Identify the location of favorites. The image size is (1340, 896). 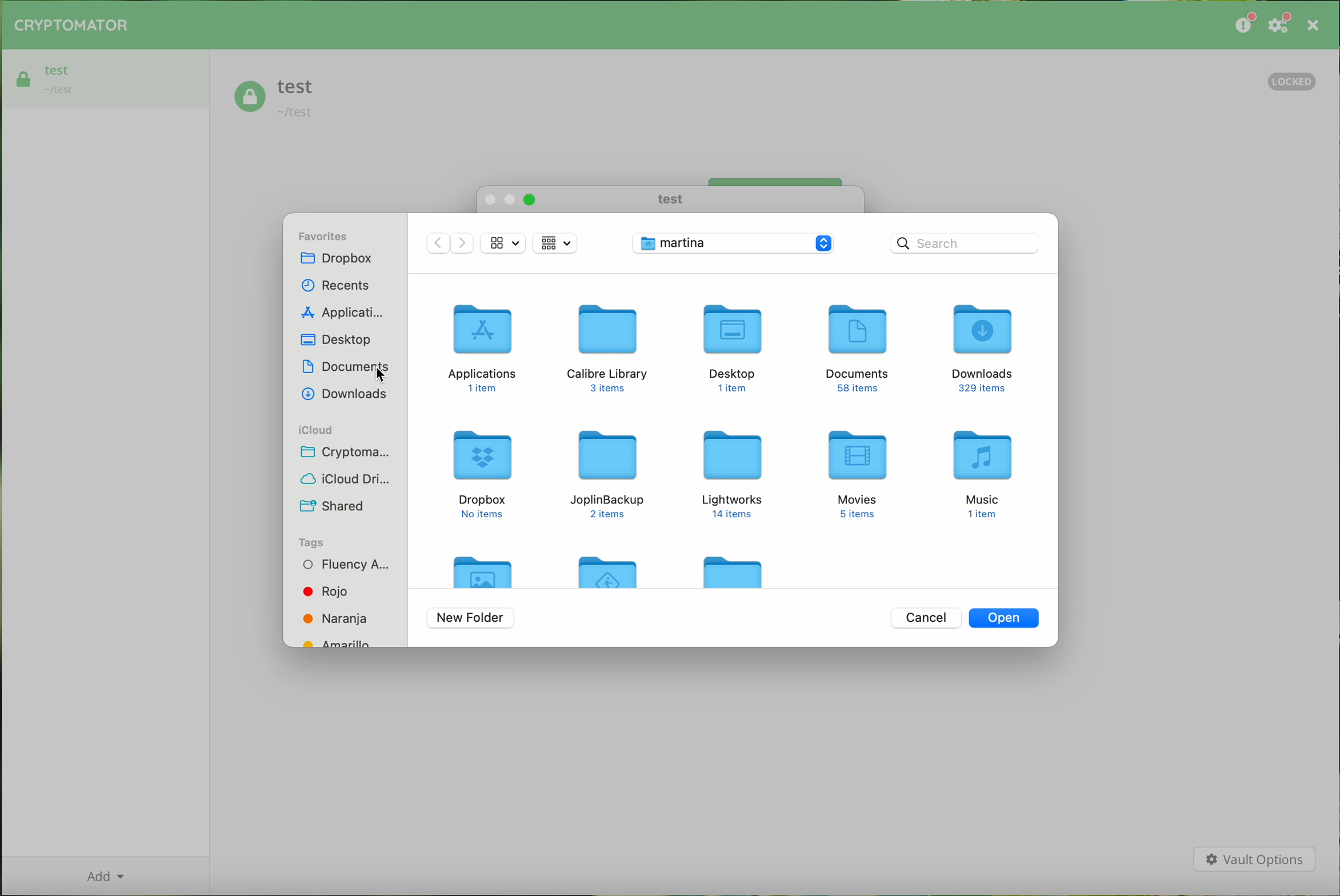
(325, 234).